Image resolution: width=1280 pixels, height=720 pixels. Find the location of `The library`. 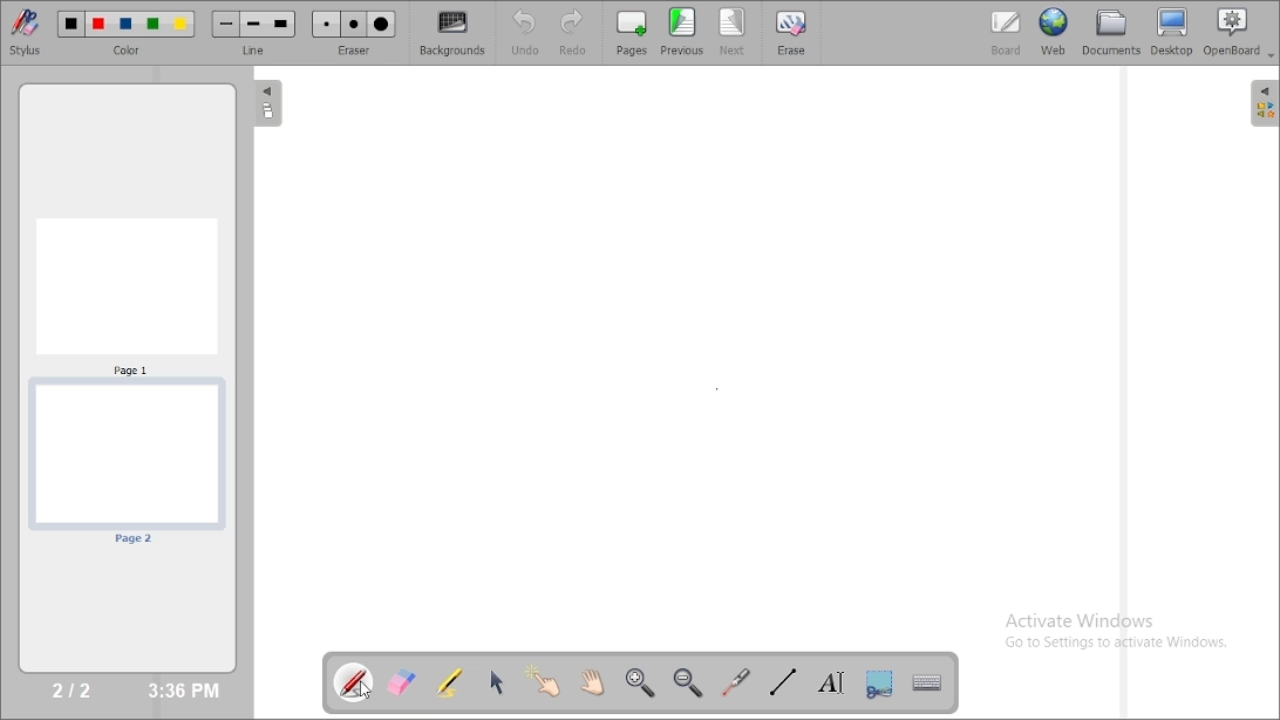

The library is located at coordinates (1264, 102).